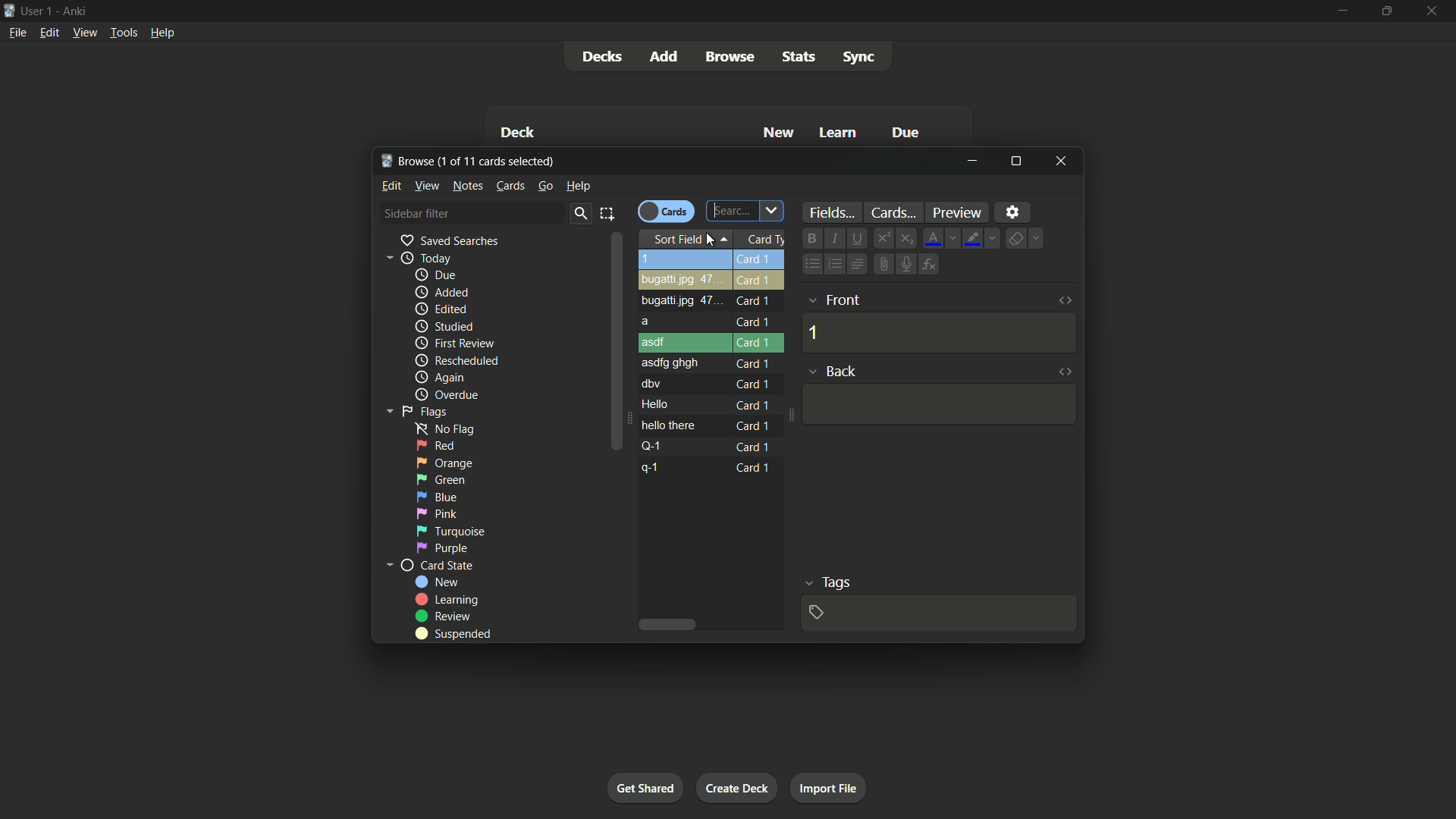 This screenshot has height=819, width=1456. Describe the element at coordinates (670, 624) in the screenshot. I see `scroll bar` at that location.